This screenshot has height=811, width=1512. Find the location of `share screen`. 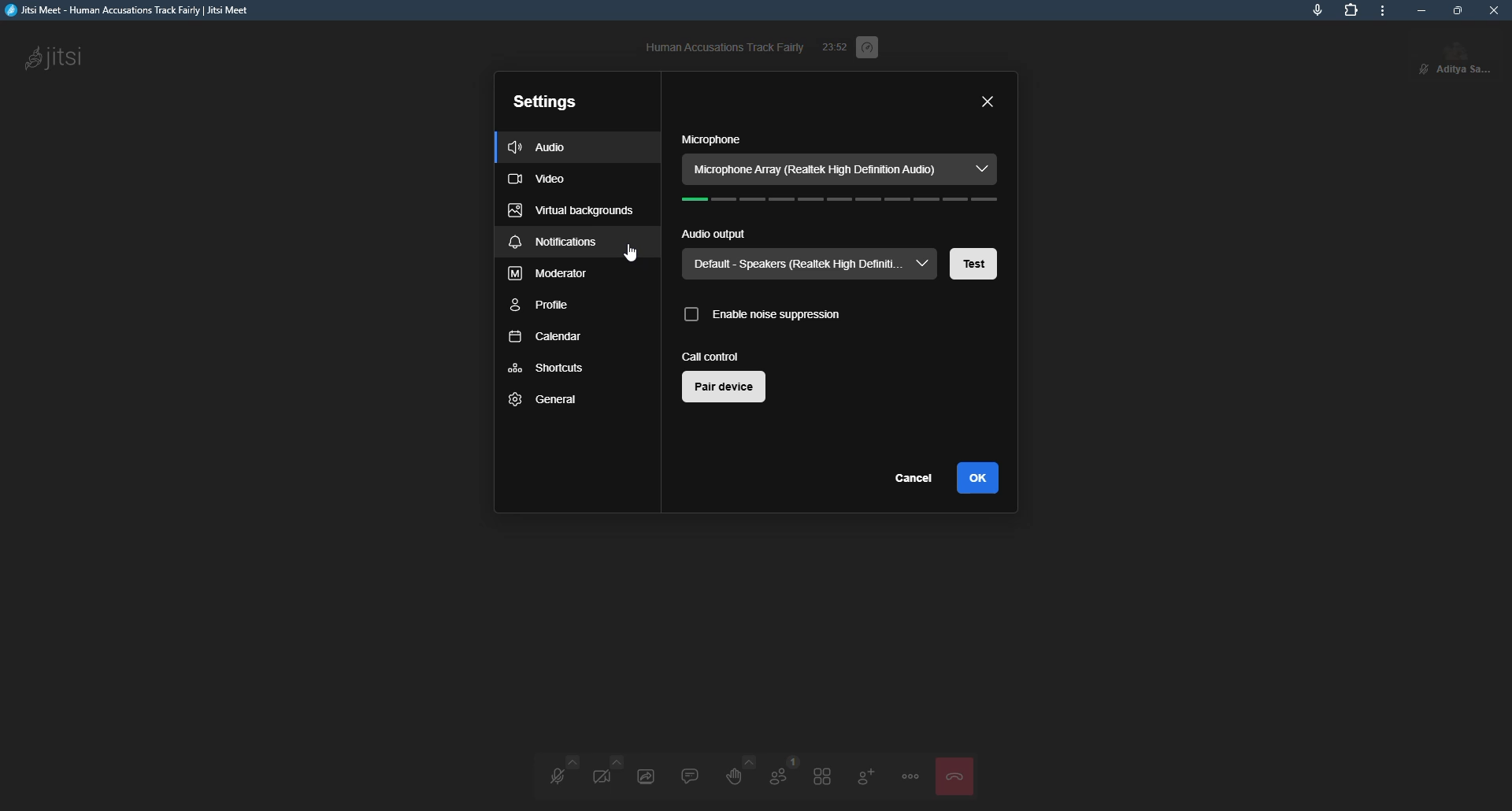

share screen is located at coordinates (648, 774).